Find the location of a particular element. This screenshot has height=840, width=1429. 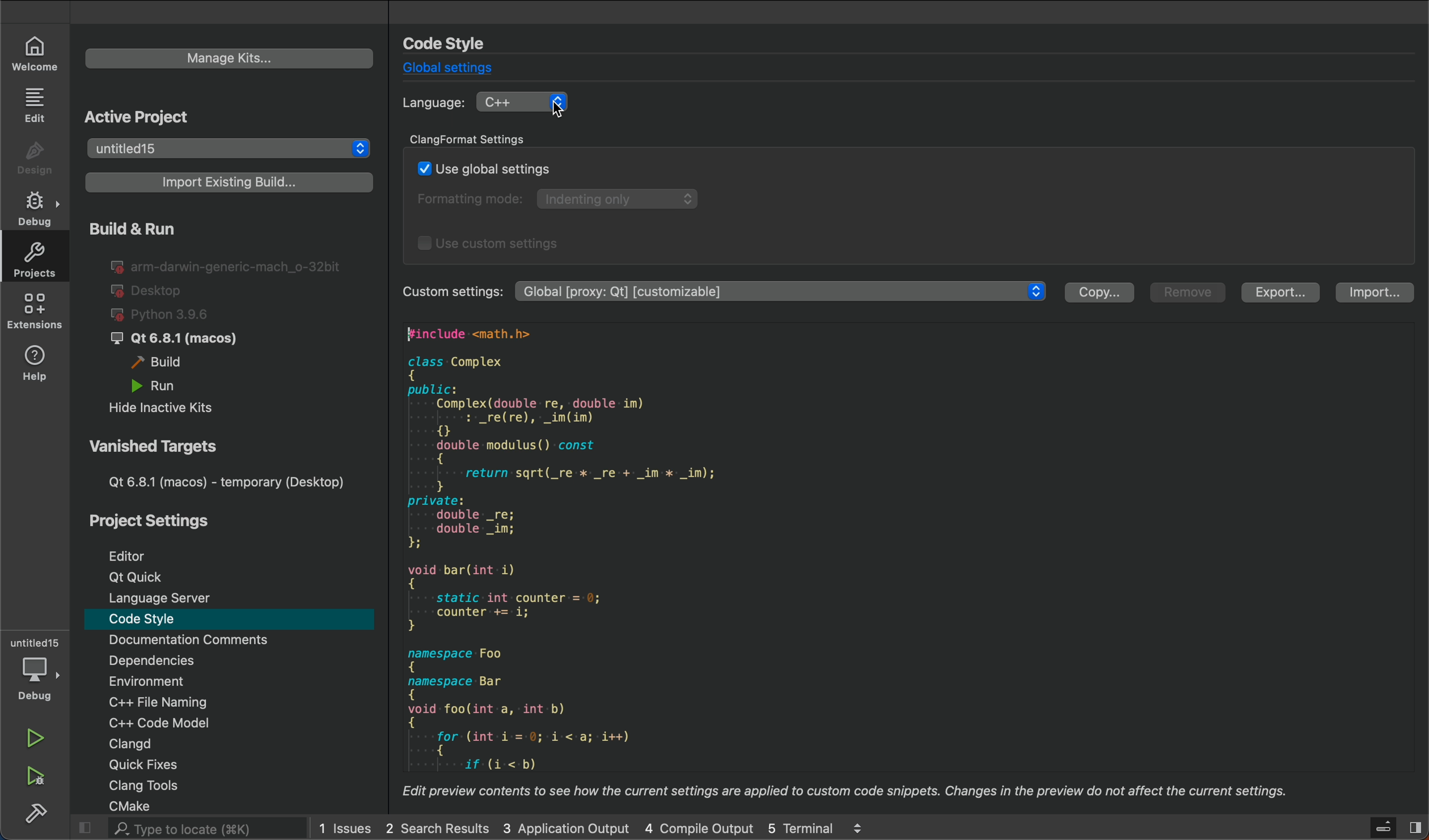

run and debug is located at coordinates (39, 778).